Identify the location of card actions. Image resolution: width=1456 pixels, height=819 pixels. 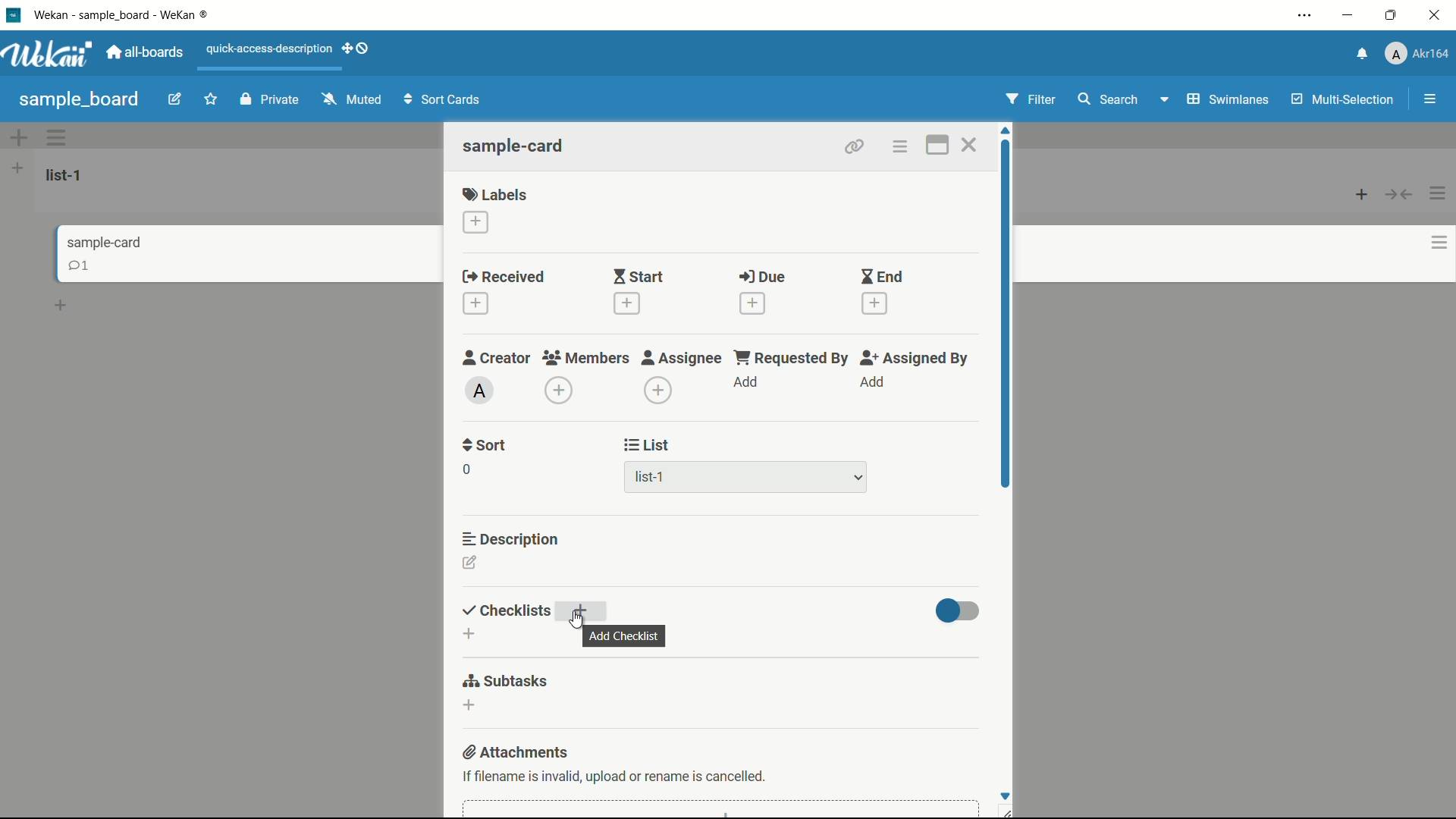
(899, 147).